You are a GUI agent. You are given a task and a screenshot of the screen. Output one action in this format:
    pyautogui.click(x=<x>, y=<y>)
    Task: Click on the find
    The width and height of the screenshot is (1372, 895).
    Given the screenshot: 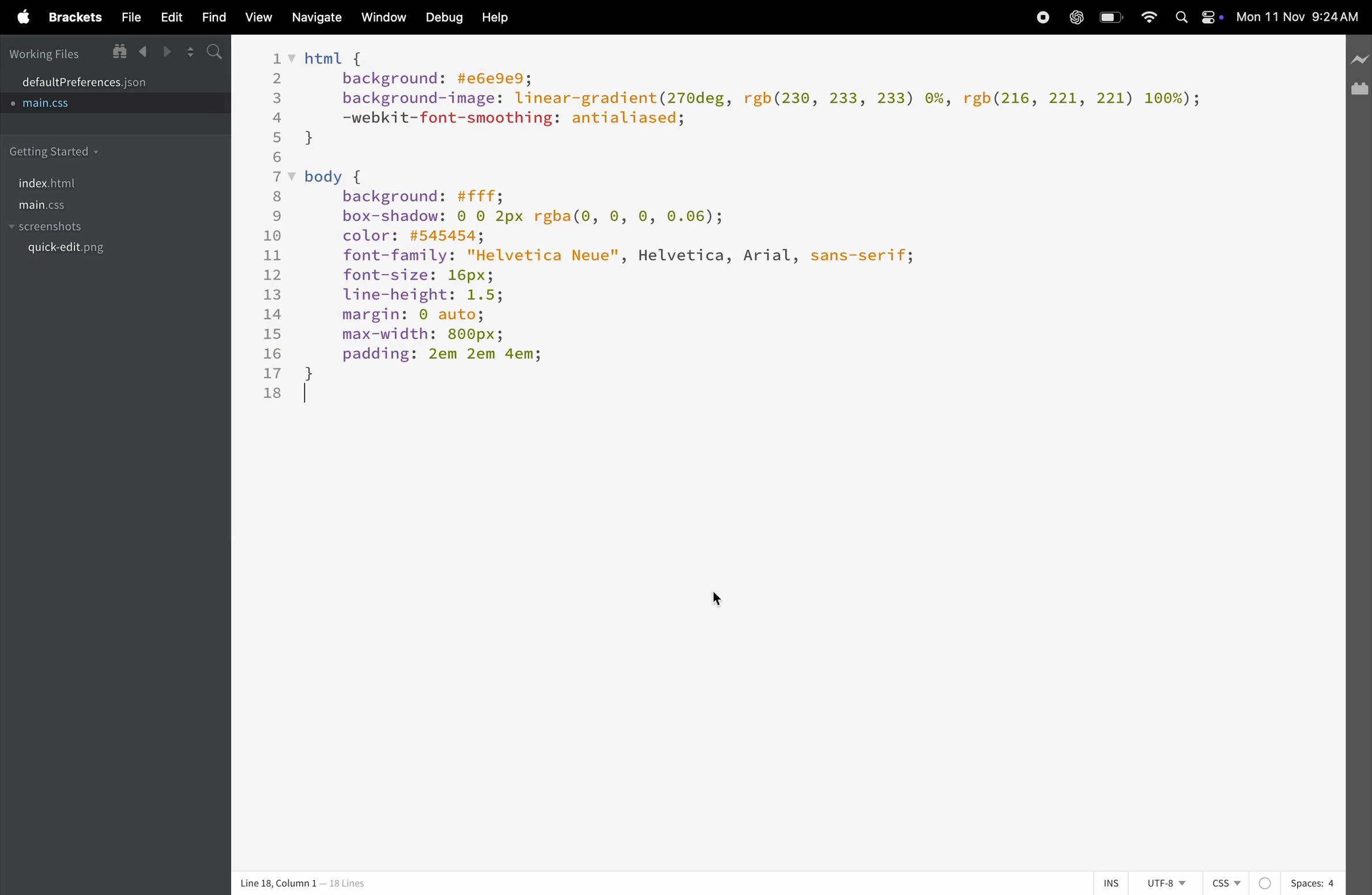 What is the action you would take?
    pyautogui.click(x=209, y=18)
    